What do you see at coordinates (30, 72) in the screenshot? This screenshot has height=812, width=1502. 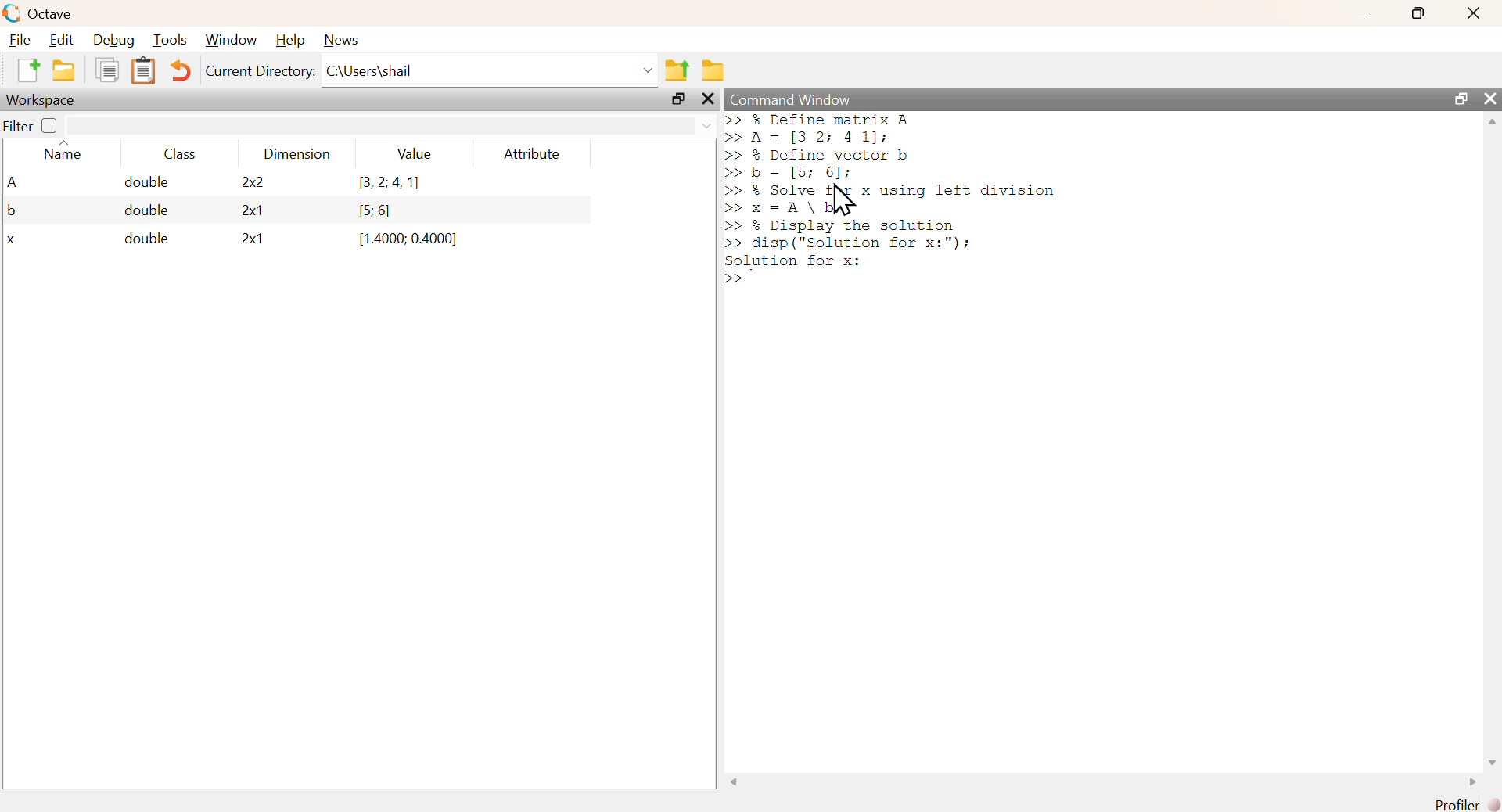 I see `new script` at bounding box center [30, 72].